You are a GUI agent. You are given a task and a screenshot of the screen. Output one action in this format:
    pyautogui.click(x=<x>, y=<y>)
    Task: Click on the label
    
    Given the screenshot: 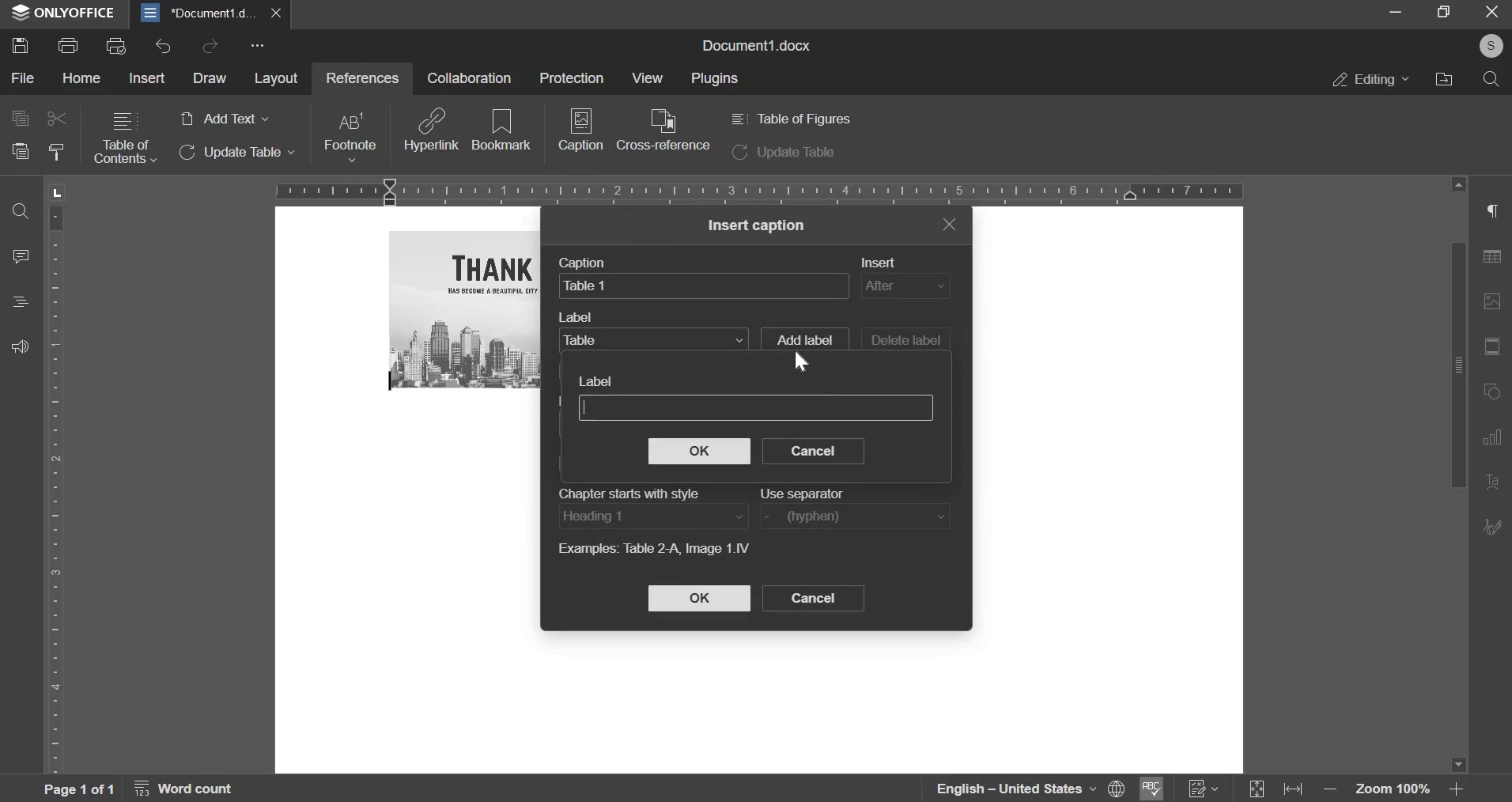 What is the action you would take?
    pyautogui.click(x=653, y=339)
    